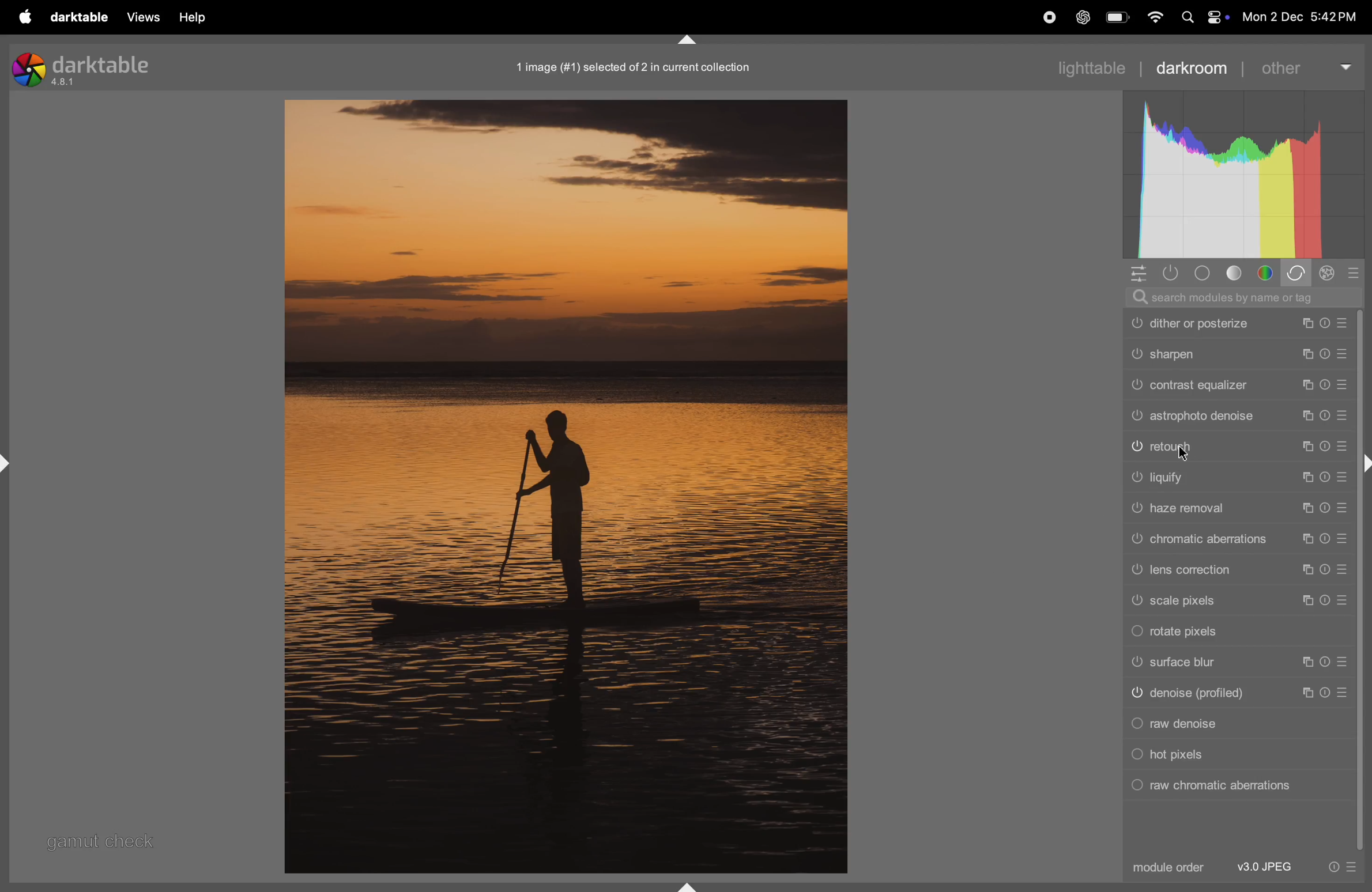 The image size is (1372, 892). What do you see at coordinates (1234, 477) in the screenshot?
I see `liquify` at bounding box center [1234, 477].